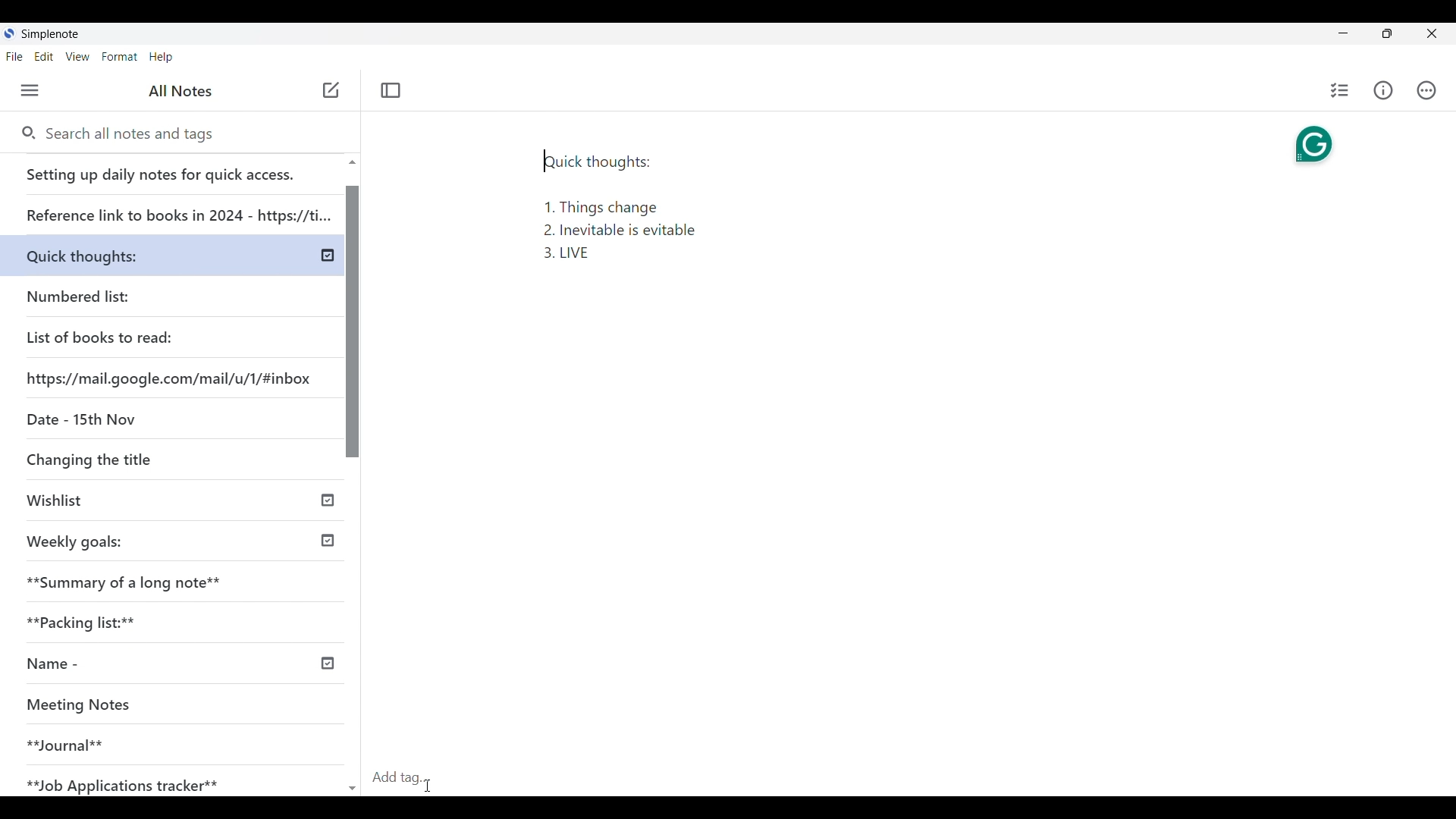  Describe the element at coordinates (127, 502) in the screenshot. I see `Wishlist` at that location.